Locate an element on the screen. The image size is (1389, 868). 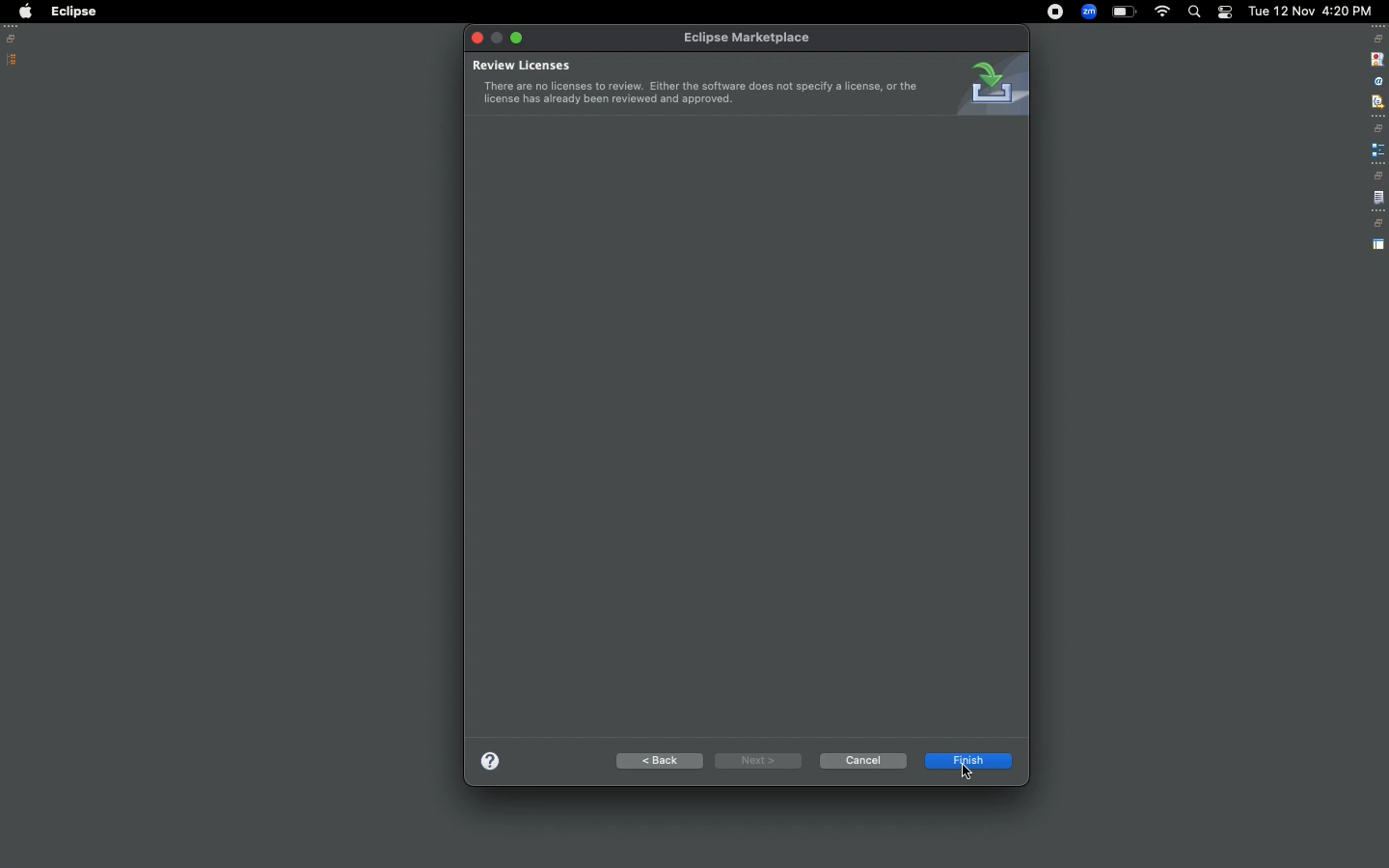
restore is located at coordinates (1377, 224).